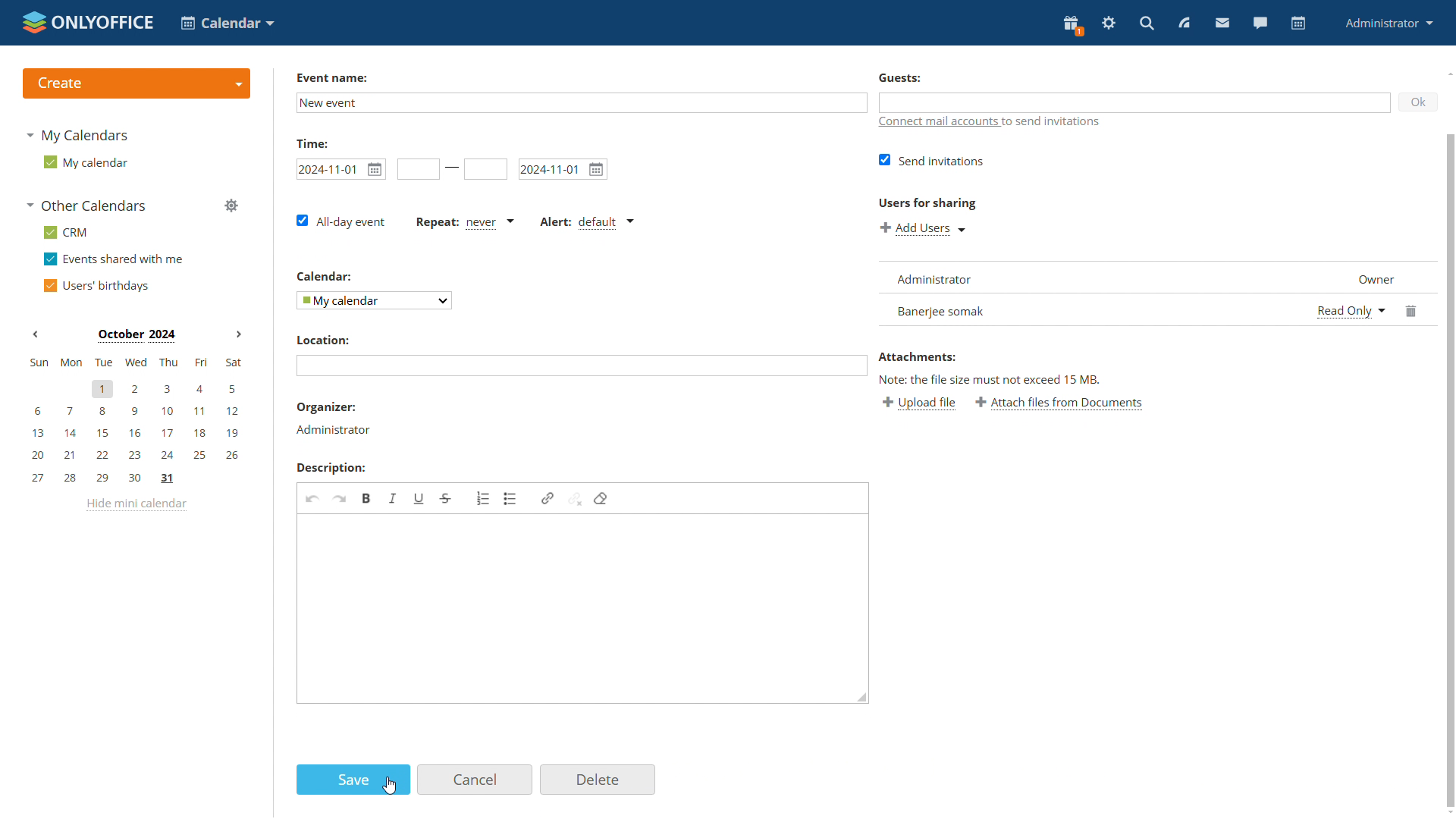 This screenshot has width=1456, height=819. Describe the element at coordinates (335, 430) in the screenshot. I see `Administrator` at that location.